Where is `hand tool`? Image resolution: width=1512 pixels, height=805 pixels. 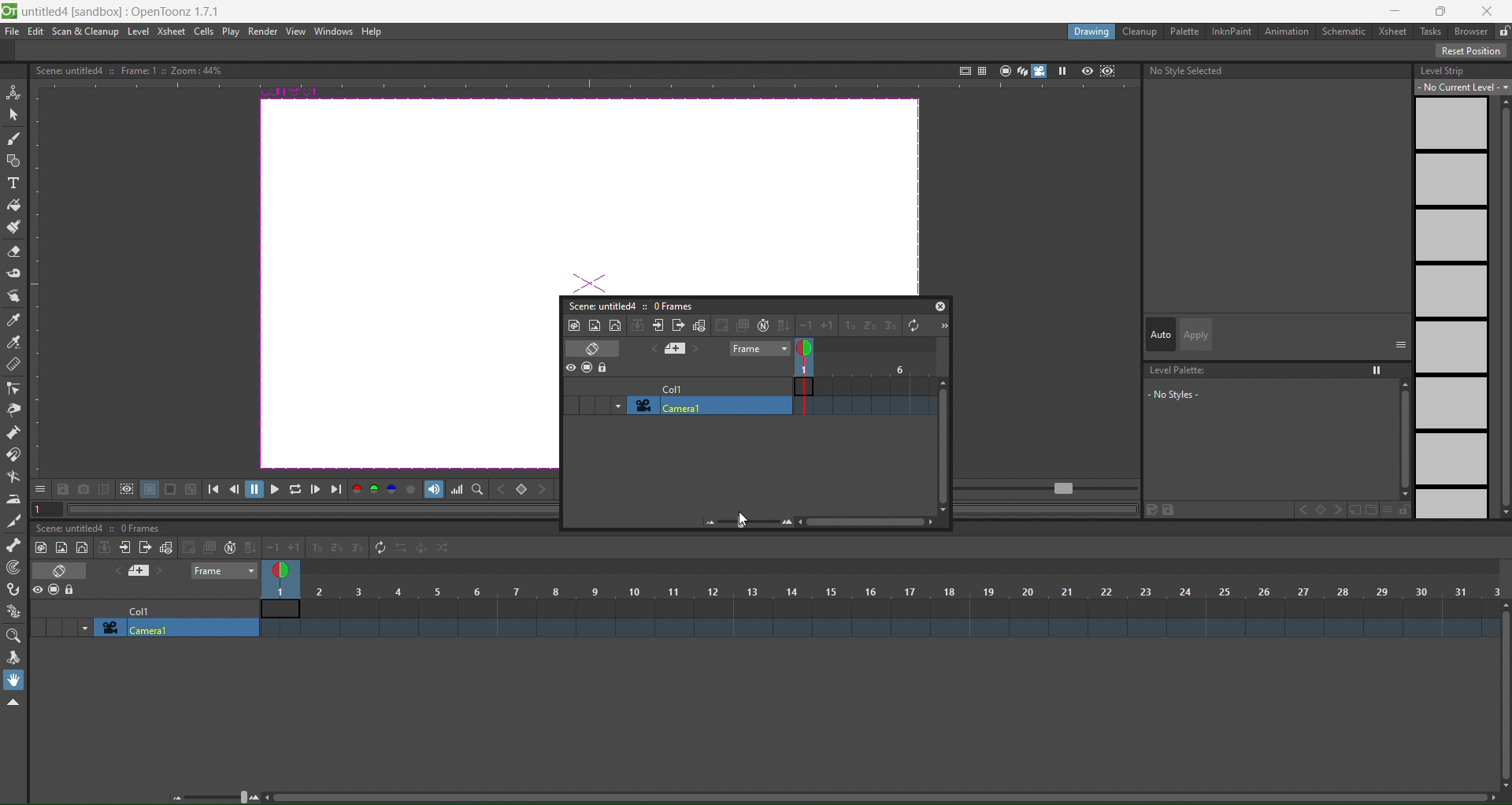
hand tool is located at coordinates (17, 680).